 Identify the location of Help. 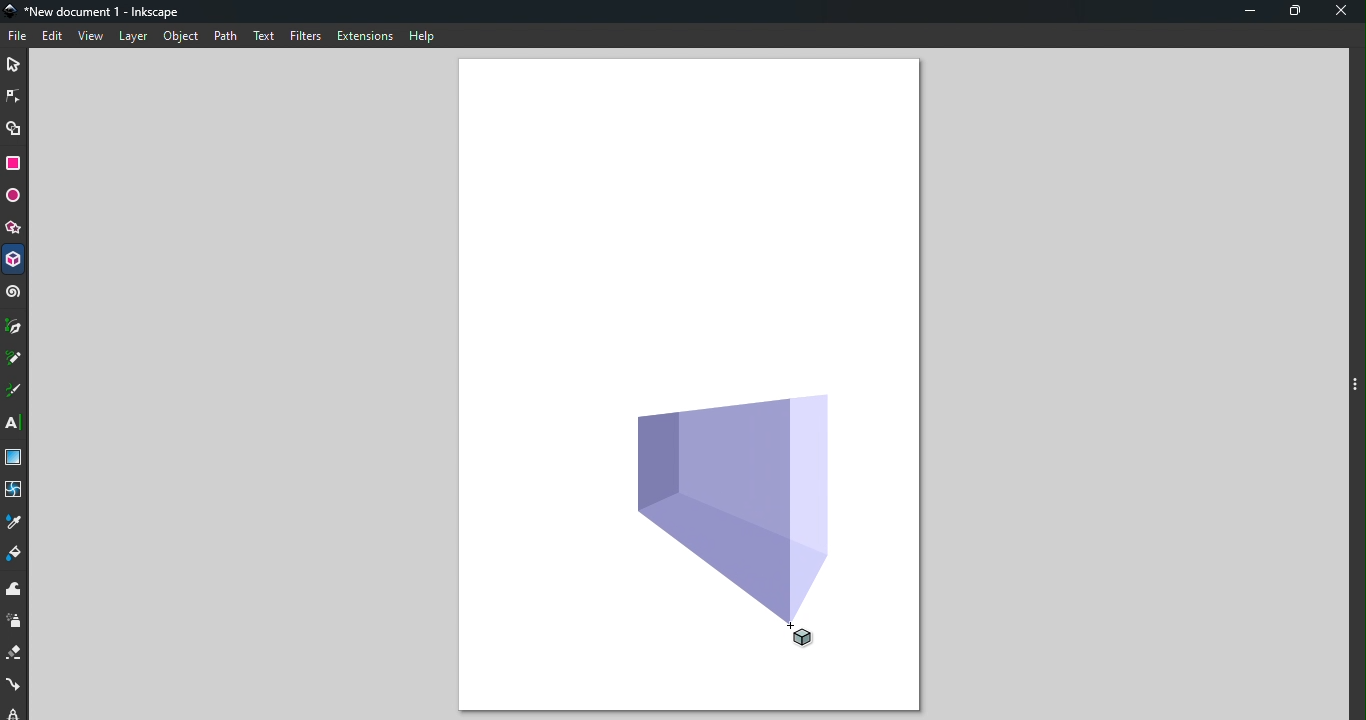
(423, 36).